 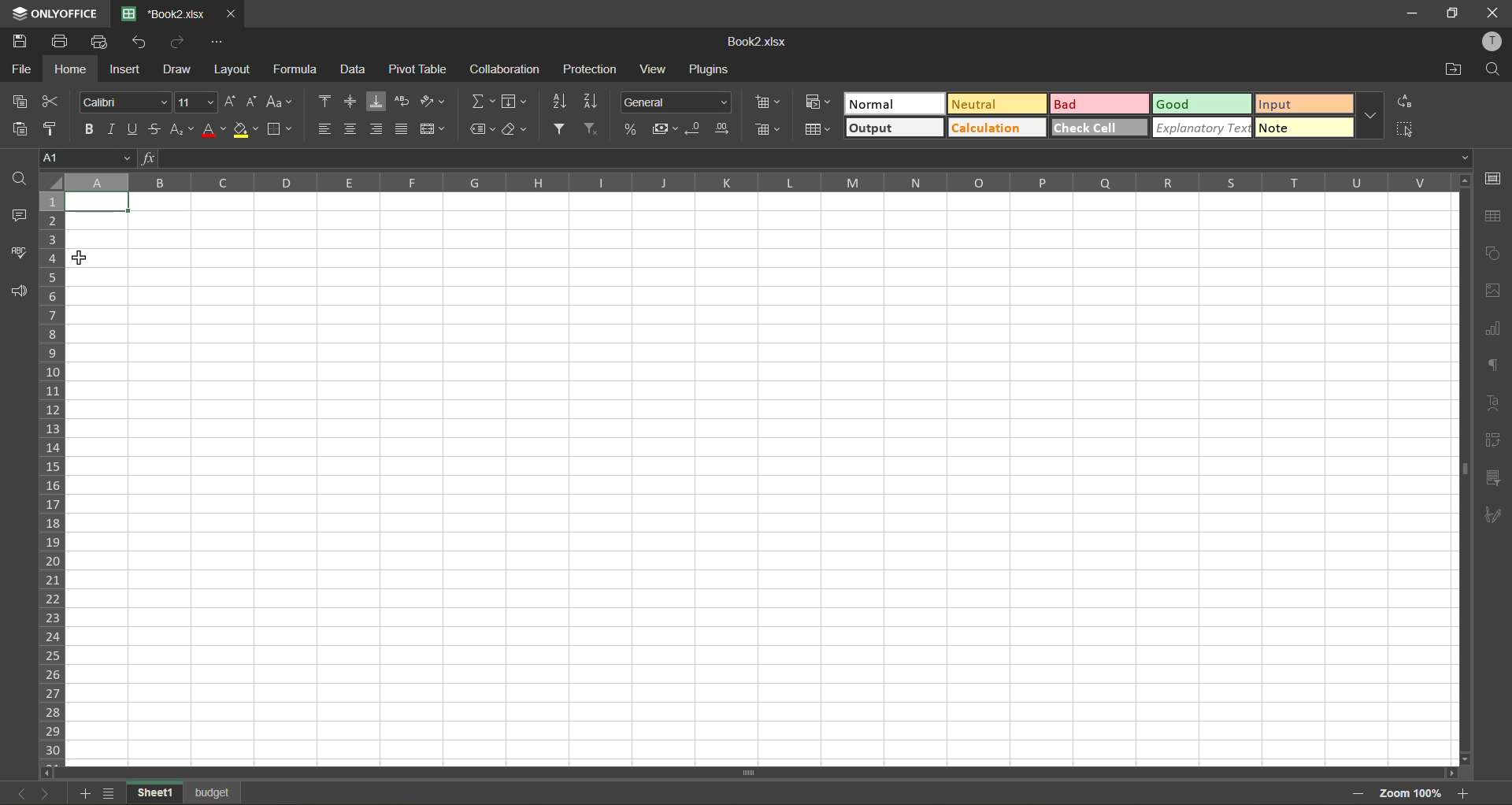 I want to click on fields, so click(x=517, y=103).